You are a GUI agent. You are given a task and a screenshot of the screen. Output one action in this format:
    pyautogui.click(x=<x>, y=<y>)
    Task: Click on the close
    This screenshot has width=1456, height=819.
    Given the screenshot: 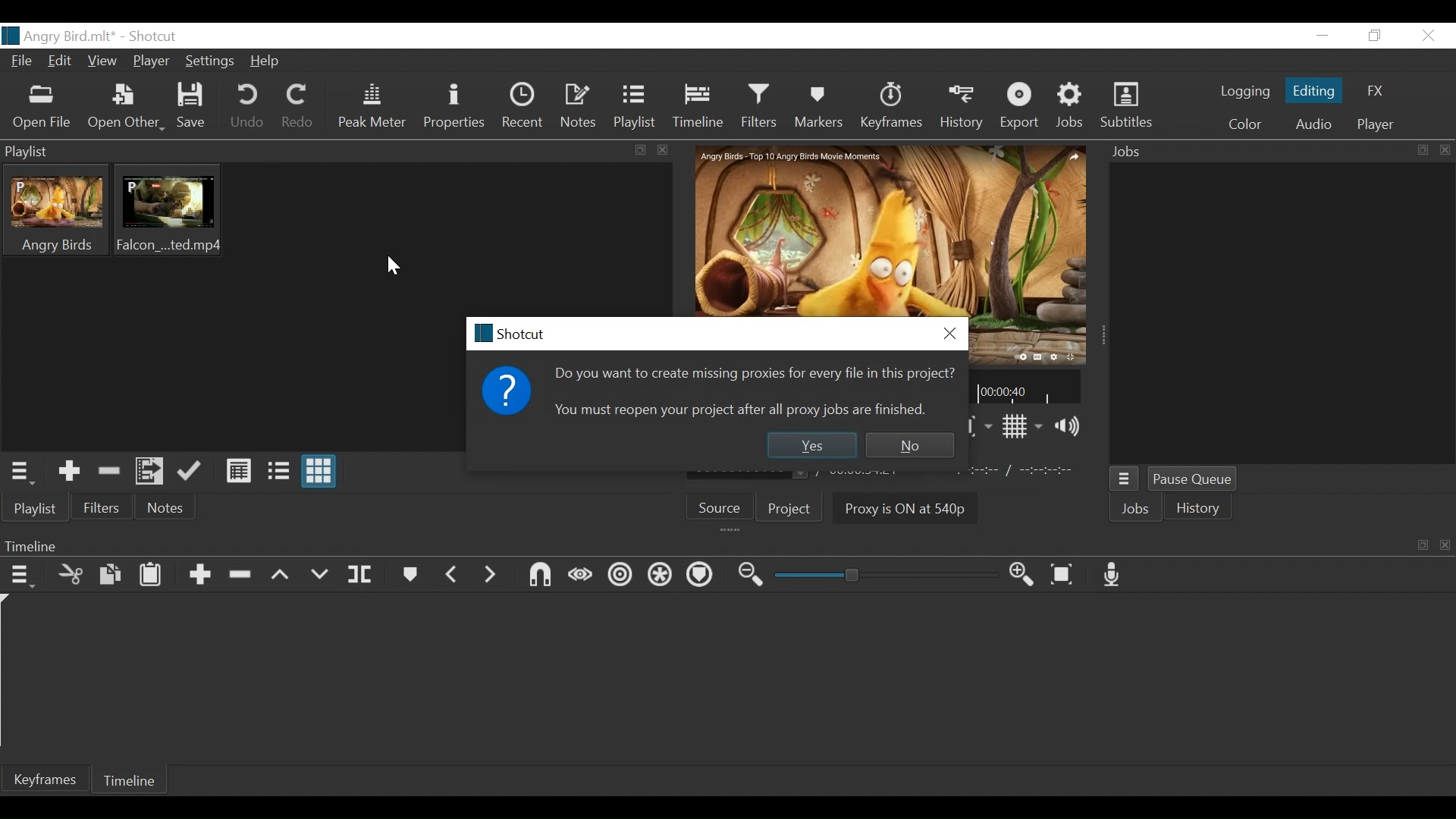 What is the action you would take?
    pyautogui.click(x=394, y=266)
    